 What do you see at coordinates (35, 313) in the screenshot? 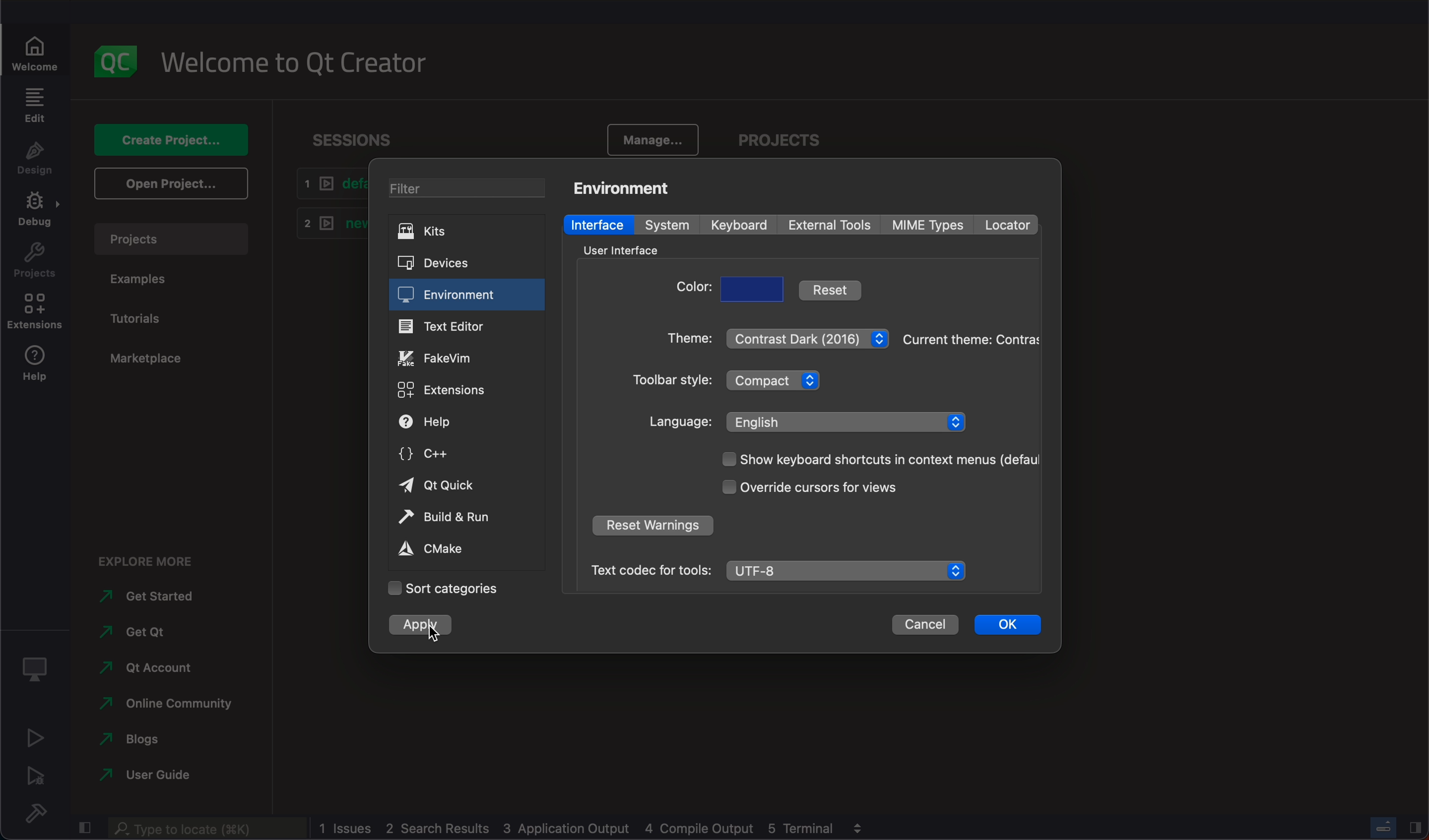
I see `extensions` at bounding box center [35, 313].